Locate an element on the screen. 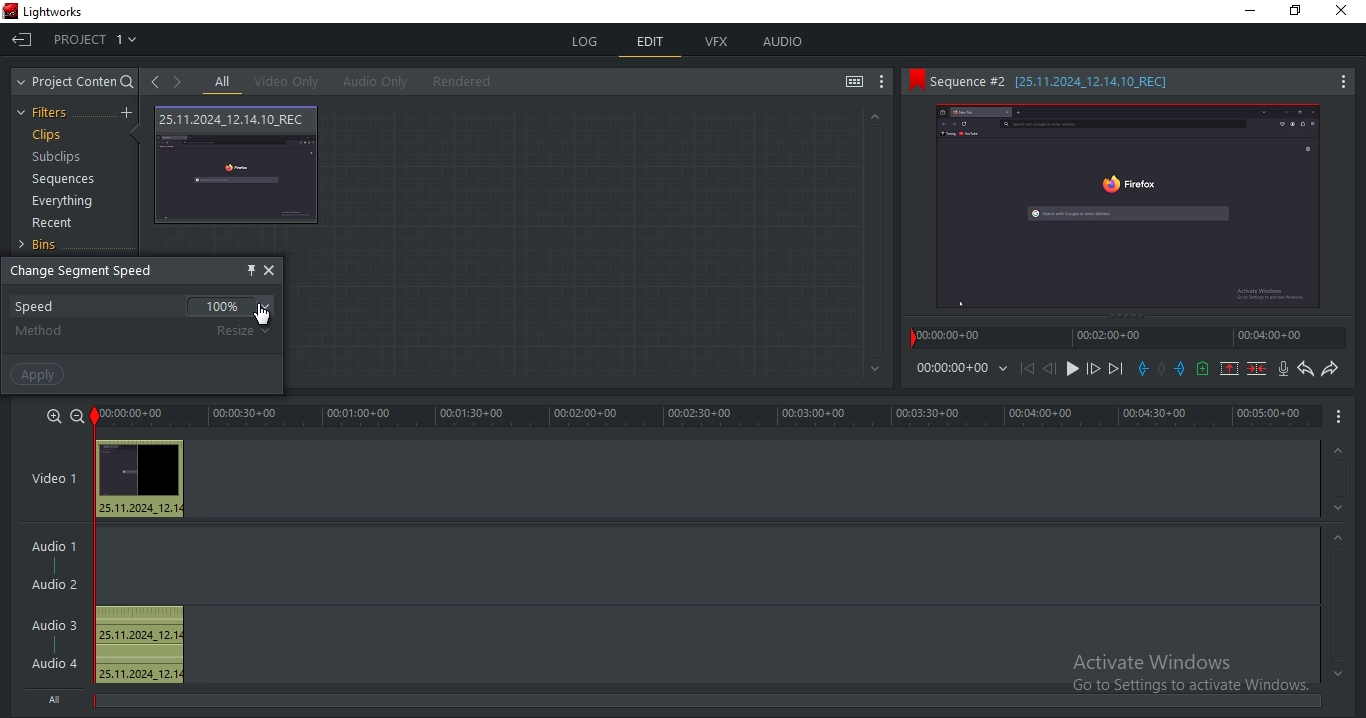  add a out mark is located at coordinates (1180, 368).